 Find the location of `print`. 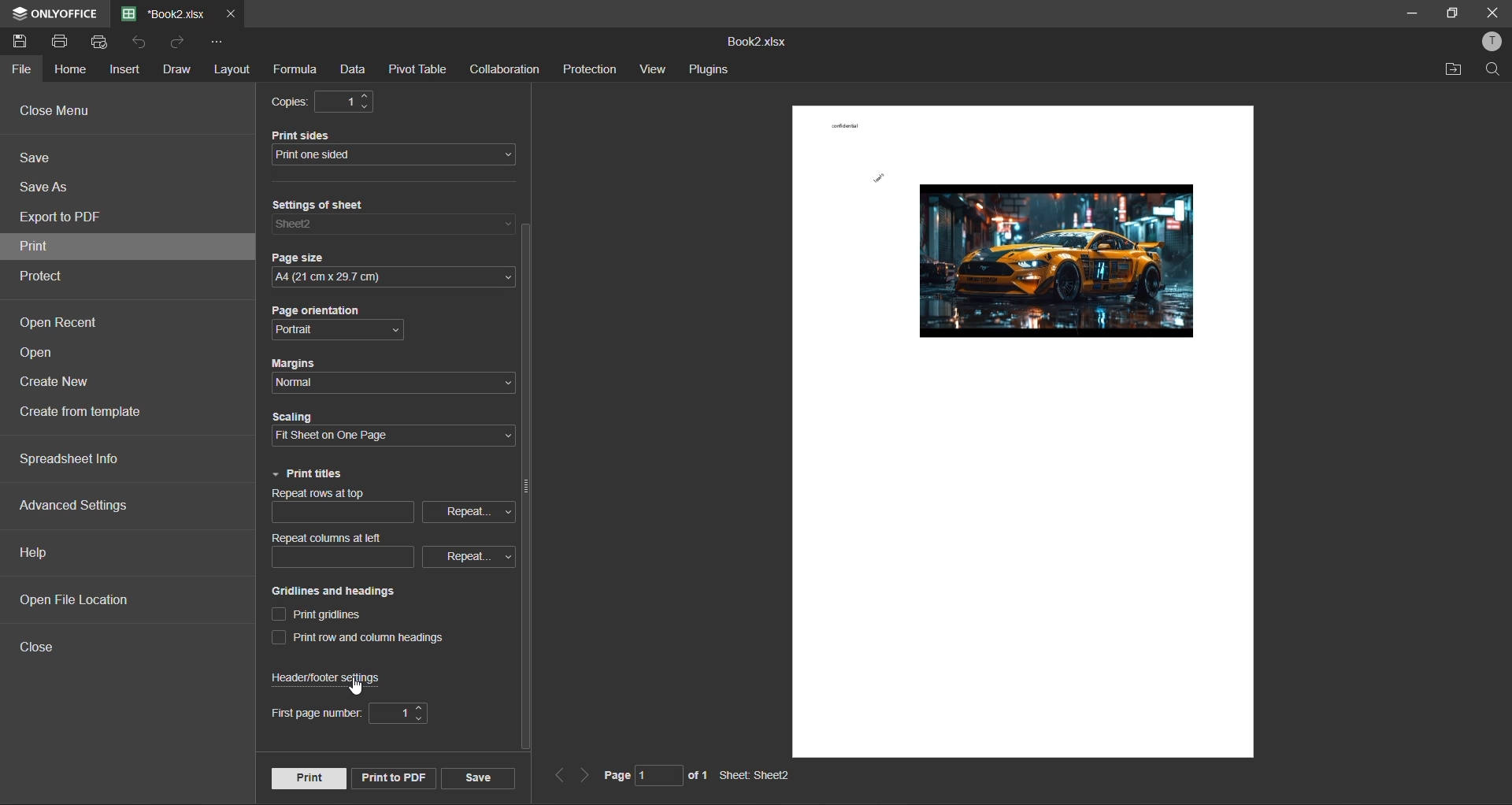

print is located at coordinates (64, 40).